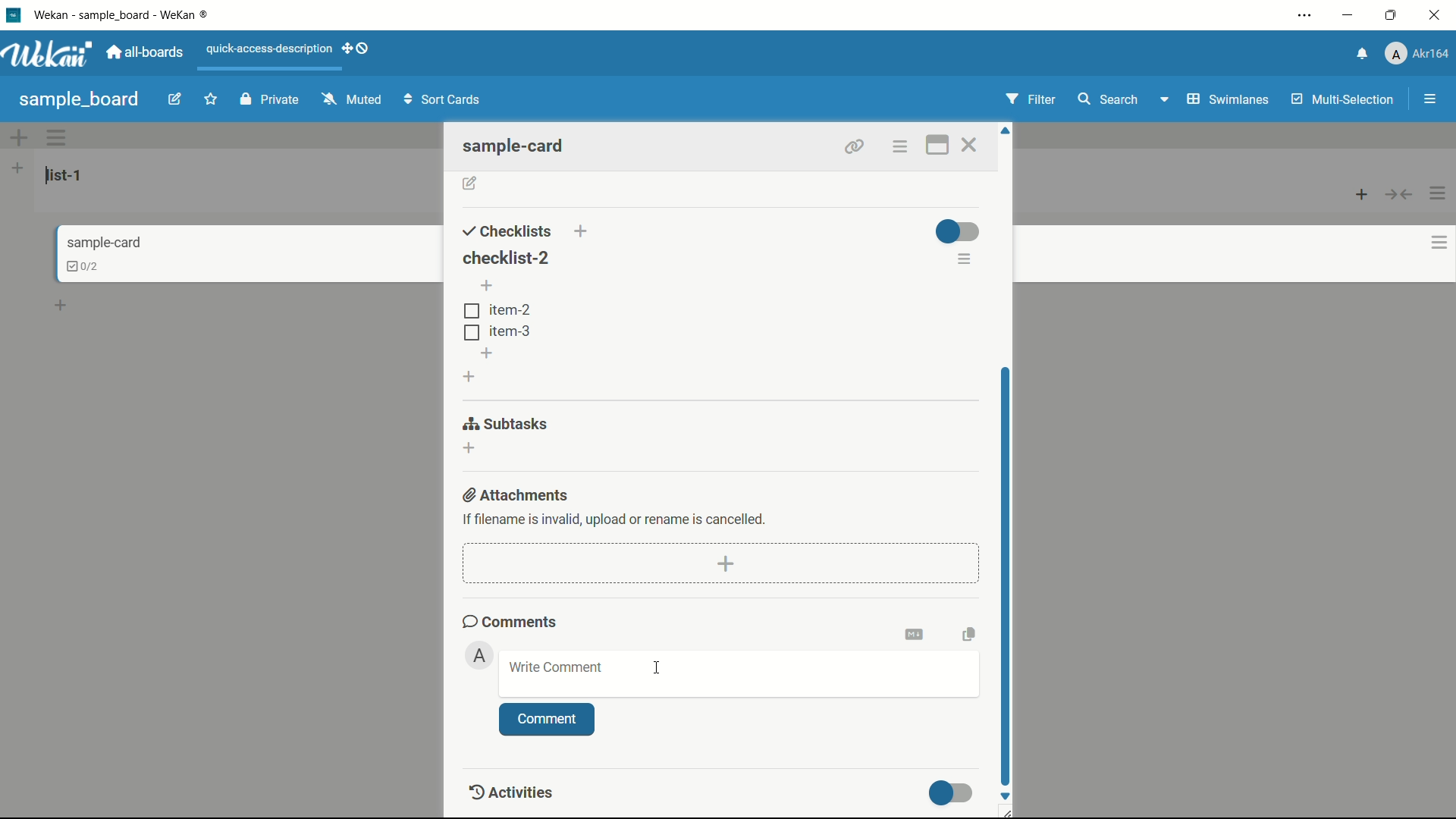 The width and height of the screenshot is (1456, 819). I want to click on admin, so click(480, 655).